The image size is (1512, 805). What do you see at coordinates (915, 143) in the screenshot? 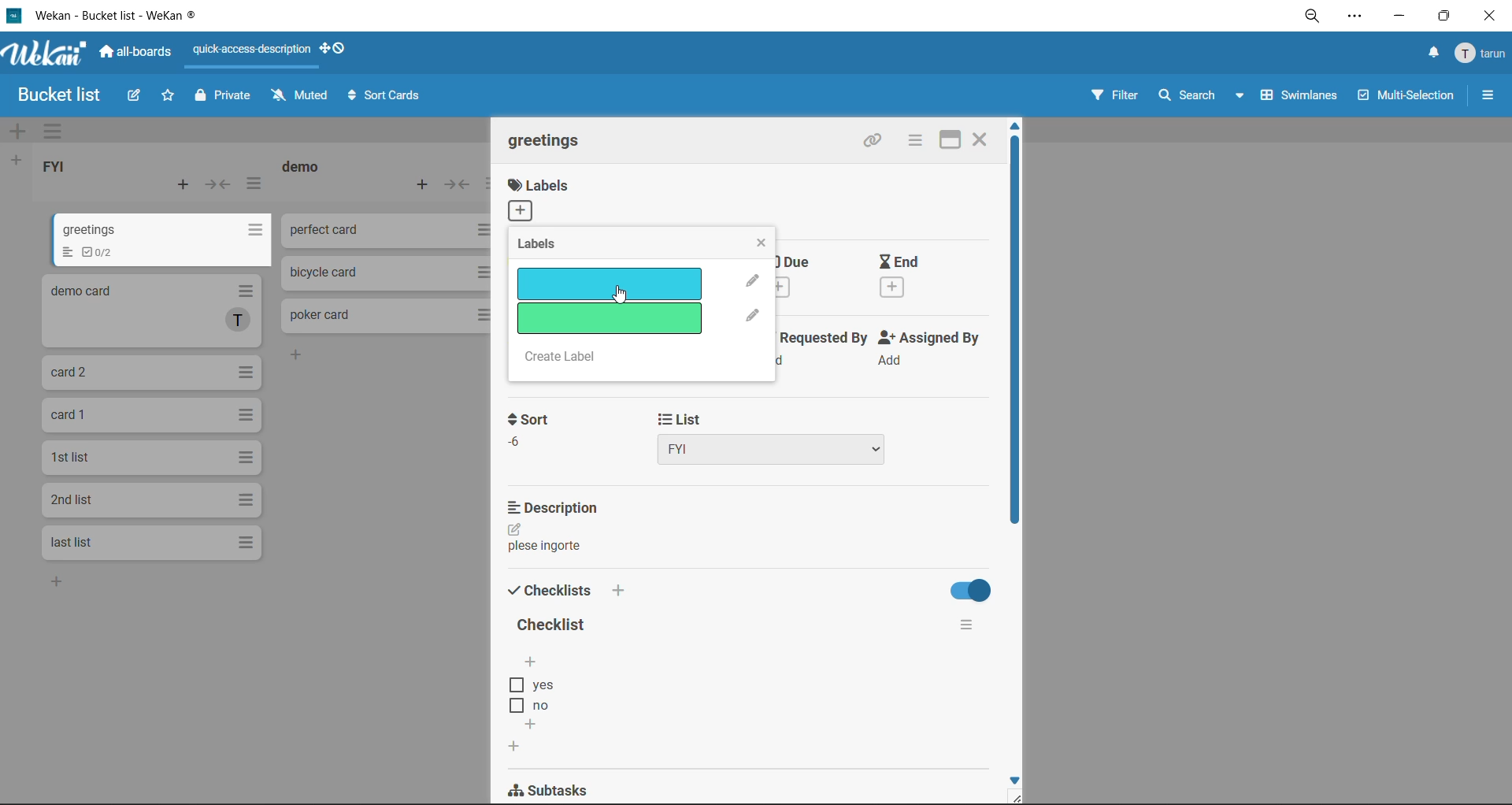
I see `card actions` at bounding box center [915, 143].